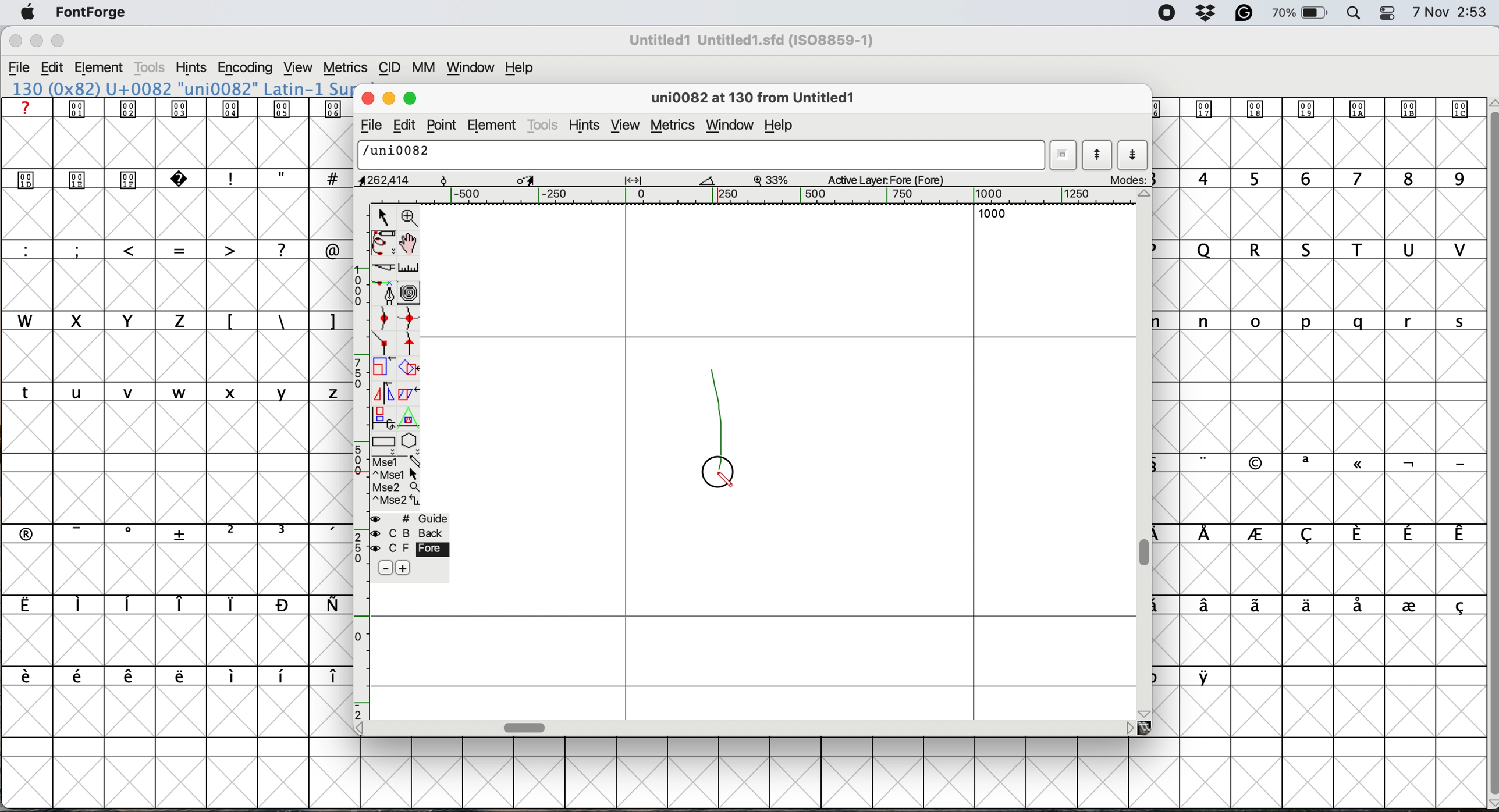  Describe the element at coordinates (1191, 676) in the screenshot. I see `special characters` at that location.